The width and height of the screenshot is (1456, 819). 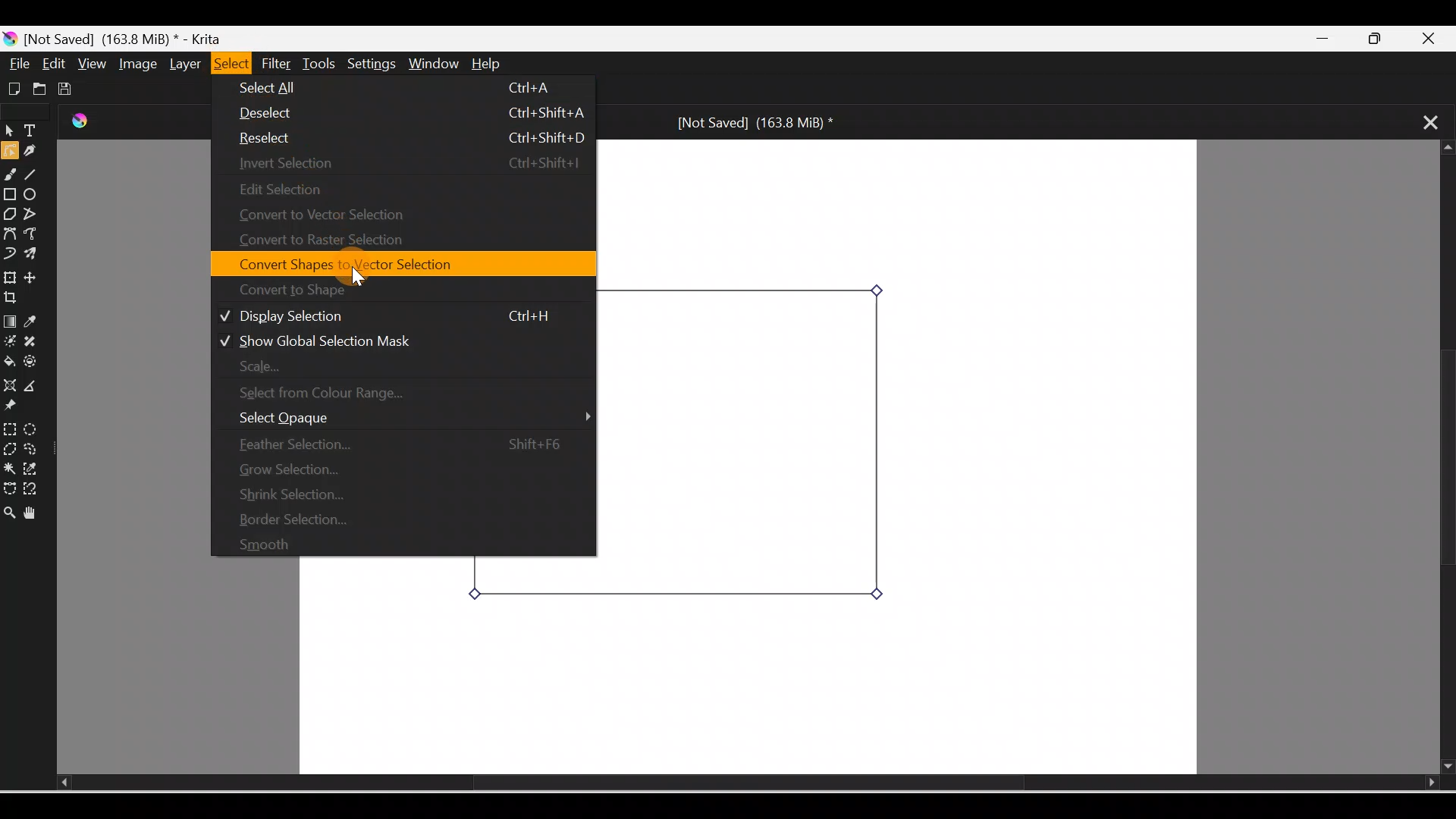 What do you see at coordinates (36, 177) in the screenshot?
I see `Line` at bounding box center [36, 177].